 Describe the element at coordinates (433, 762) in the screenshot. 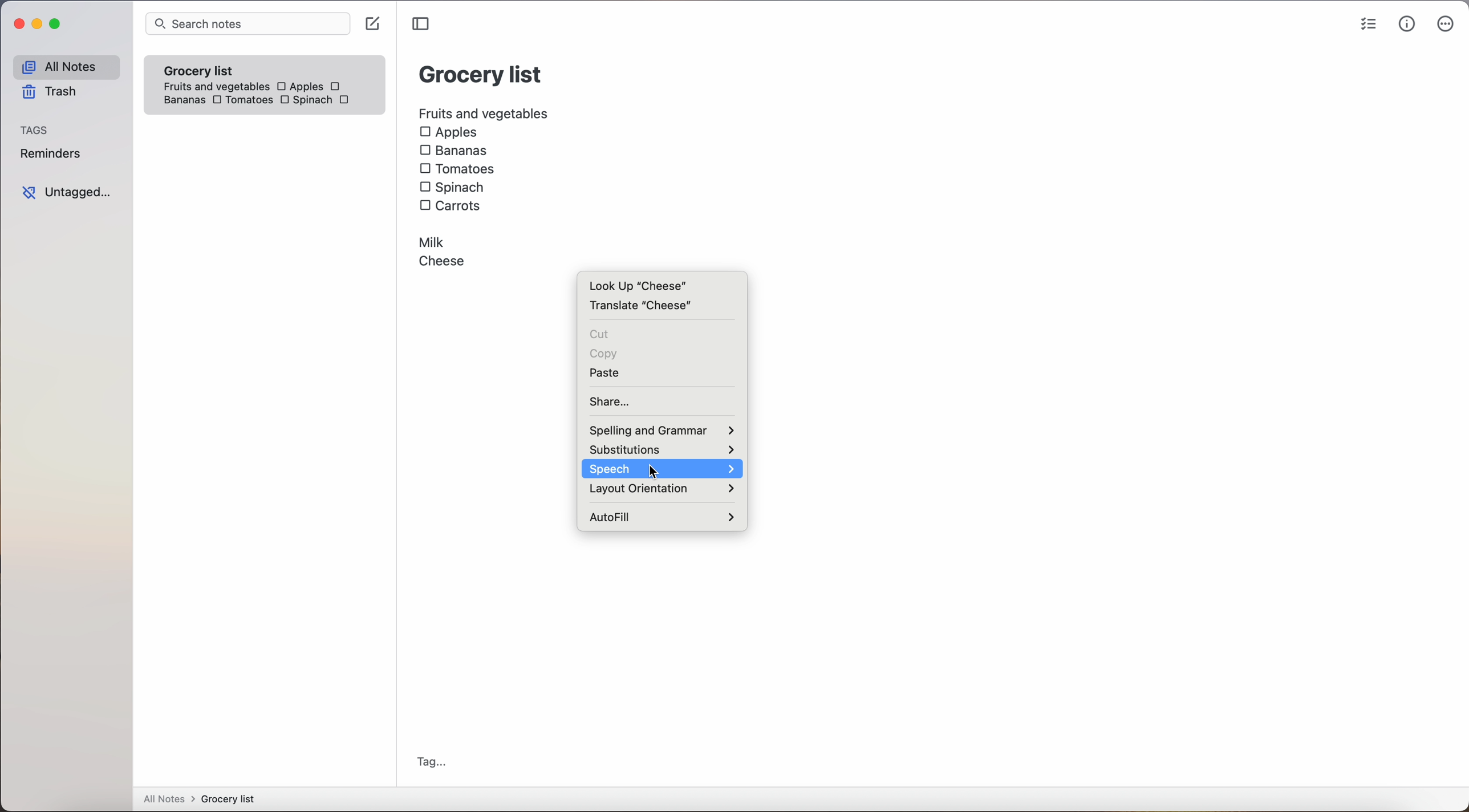

I see `tag` at that location.